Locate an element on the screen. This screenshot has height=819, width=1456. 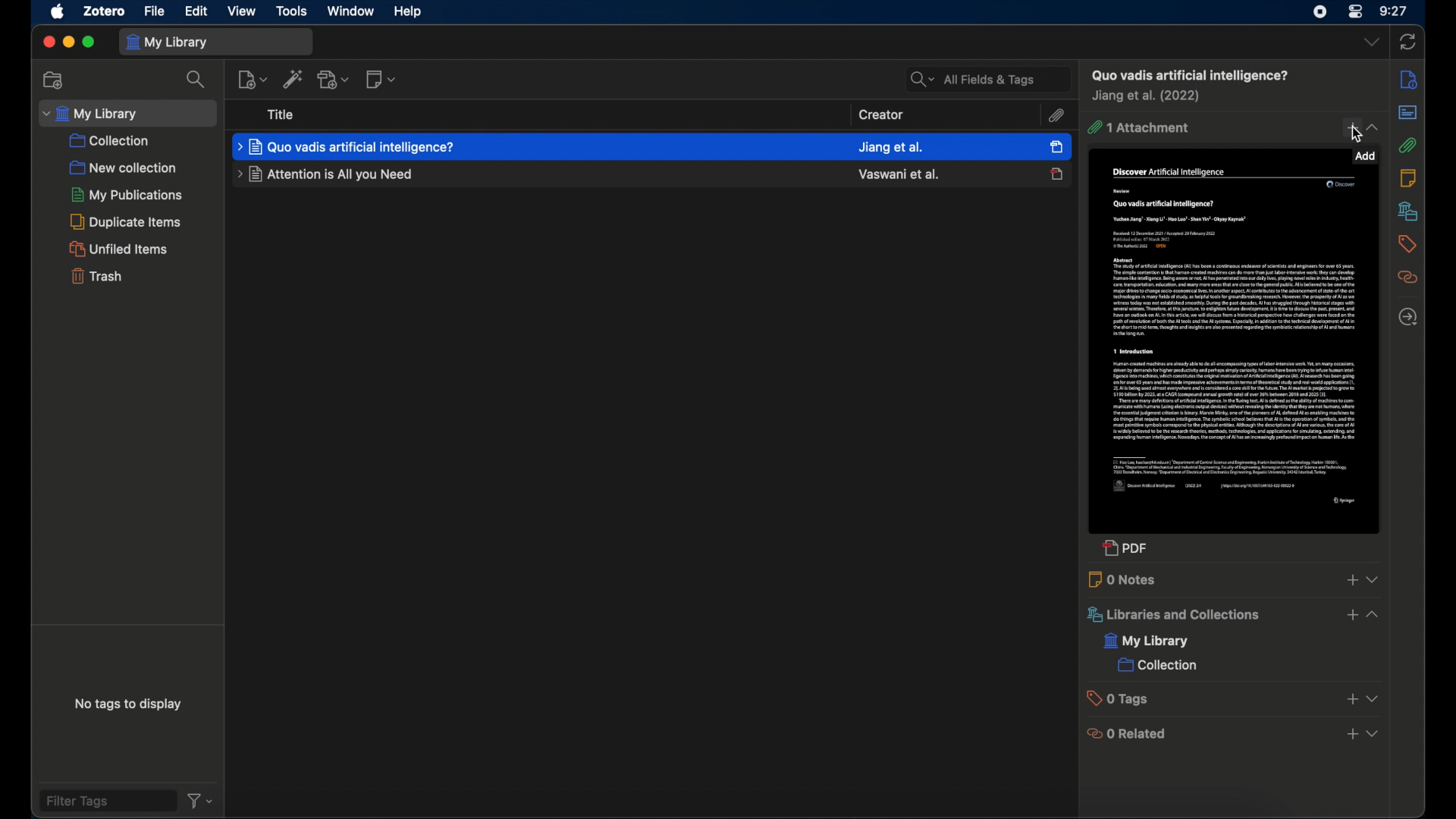
0 notes is located at coordinates (1124, 579).